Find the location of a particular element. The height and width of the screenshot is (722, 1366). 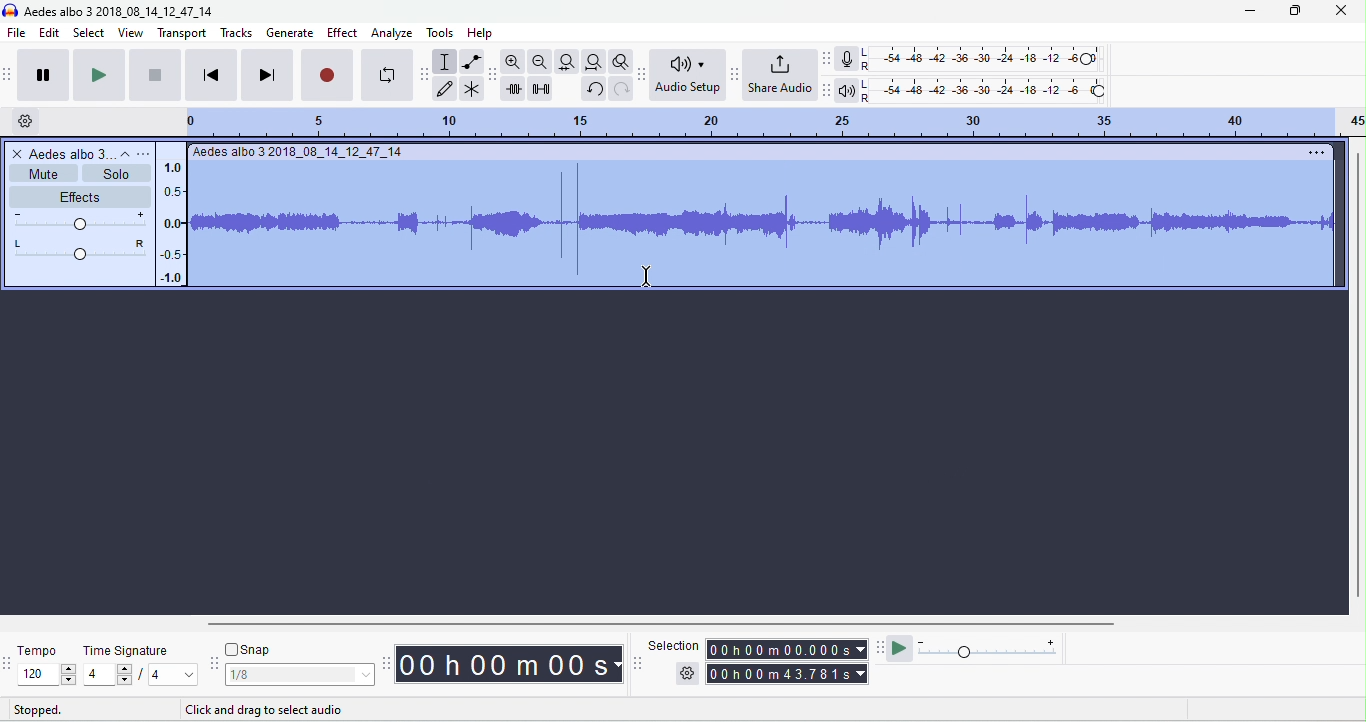

vertical scrollbar is located at coordinates (1357, 378).